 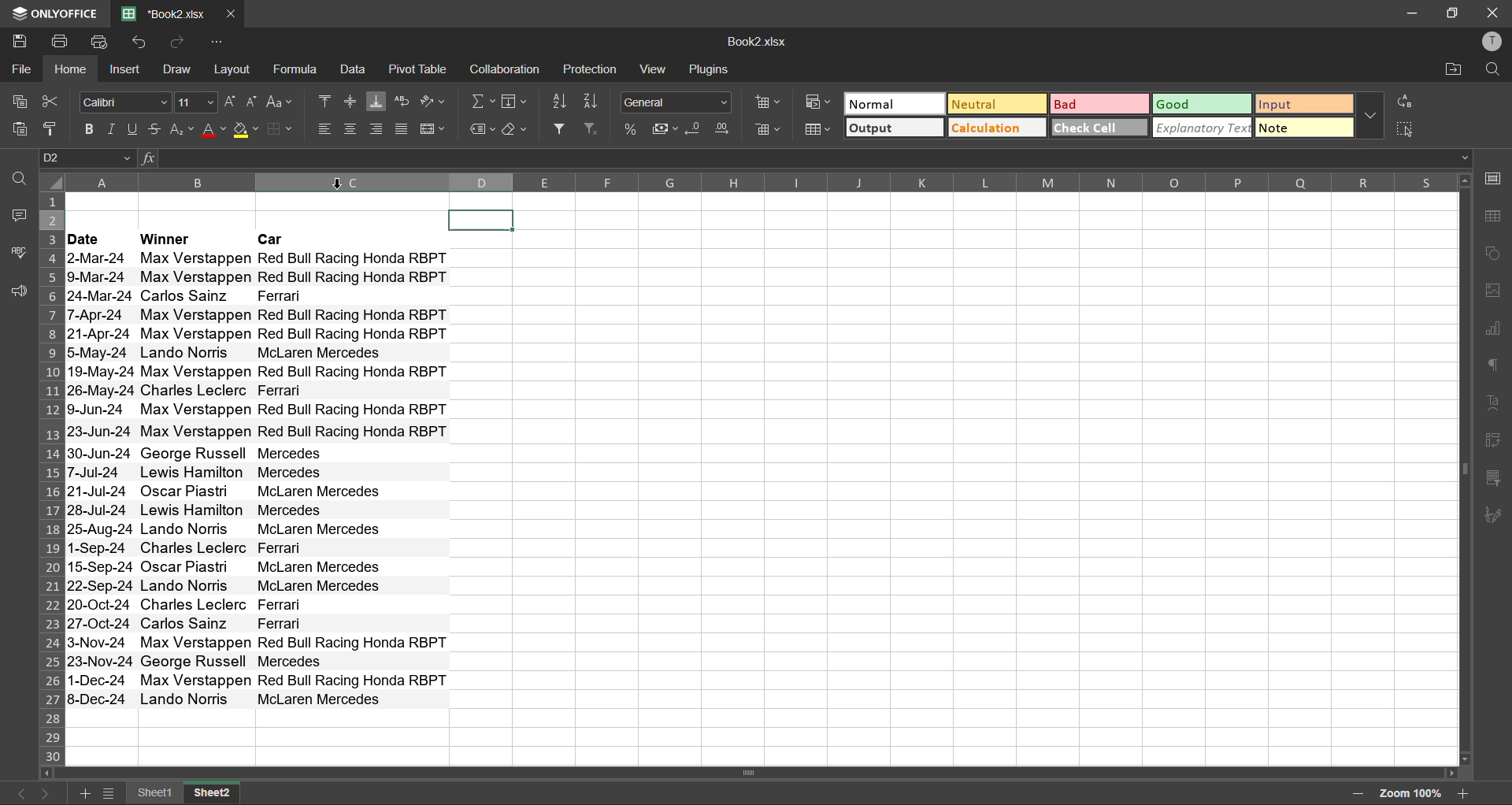 I want to click on more options, so click(x=1367, y=118).